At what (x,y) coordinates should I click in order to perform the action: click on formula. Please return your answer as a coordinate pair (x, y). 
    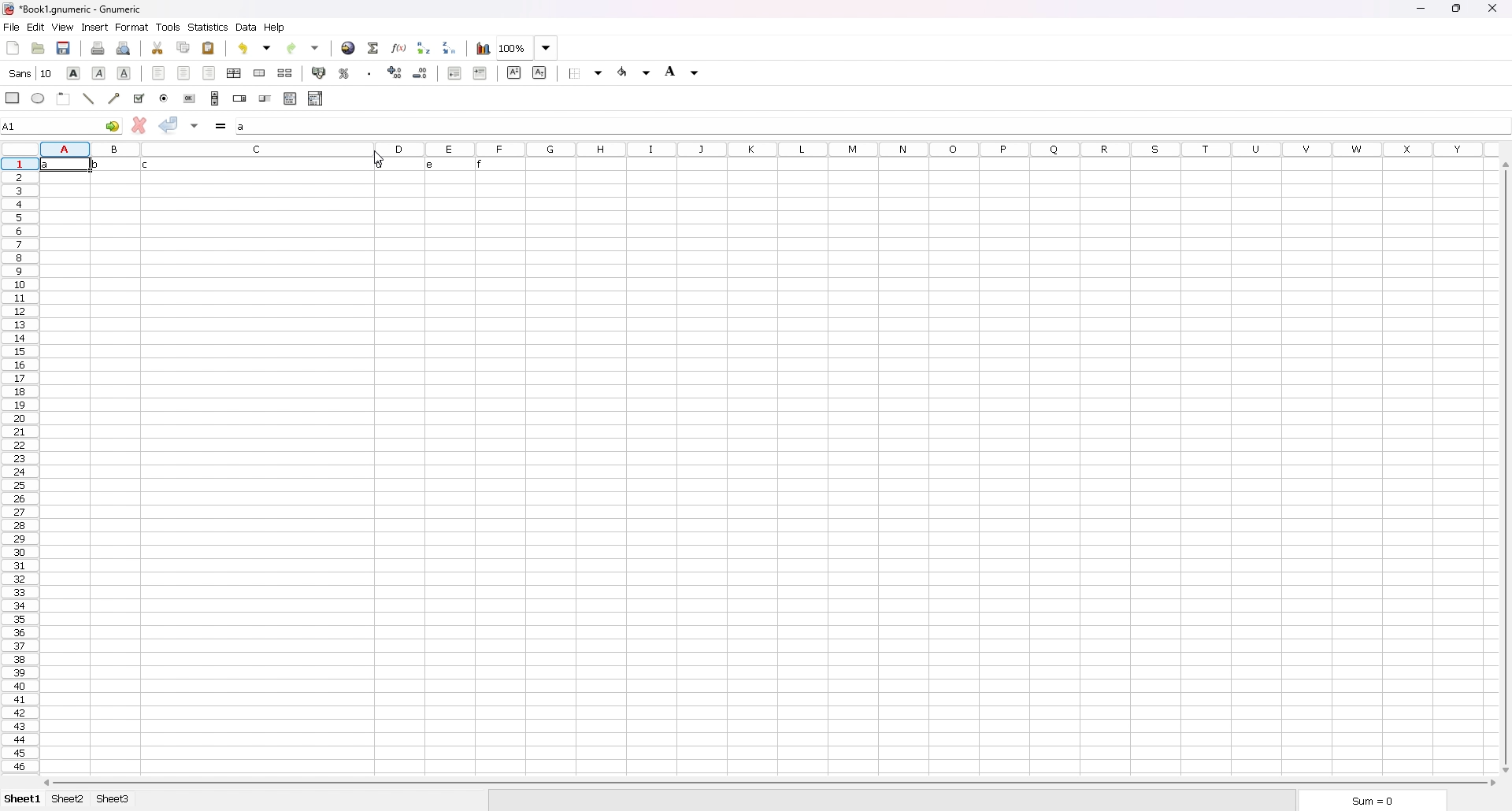
    Looking at the image, I should click on (222, 126).